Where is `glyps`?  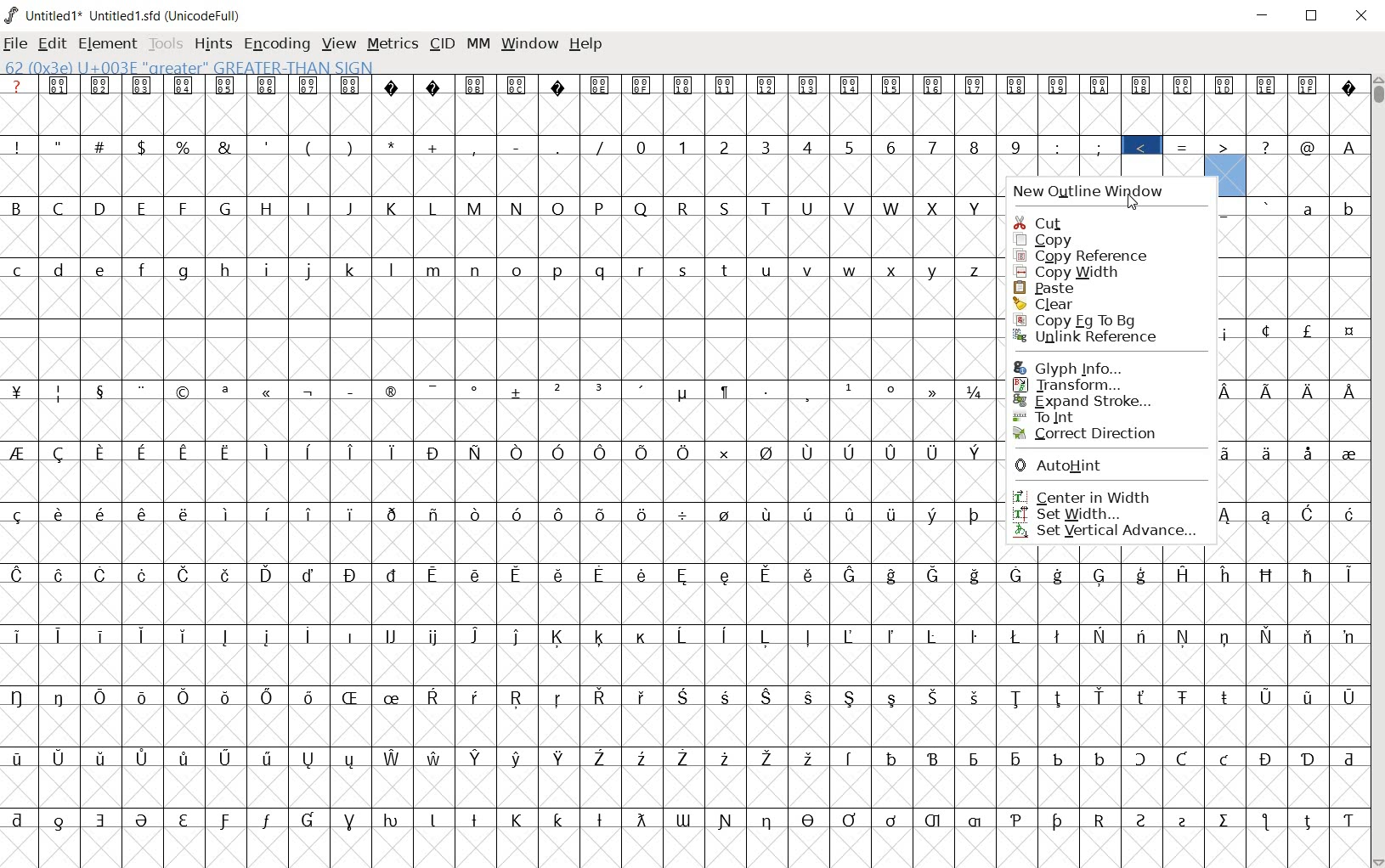
glyps is located at coordinates (1294, 375).